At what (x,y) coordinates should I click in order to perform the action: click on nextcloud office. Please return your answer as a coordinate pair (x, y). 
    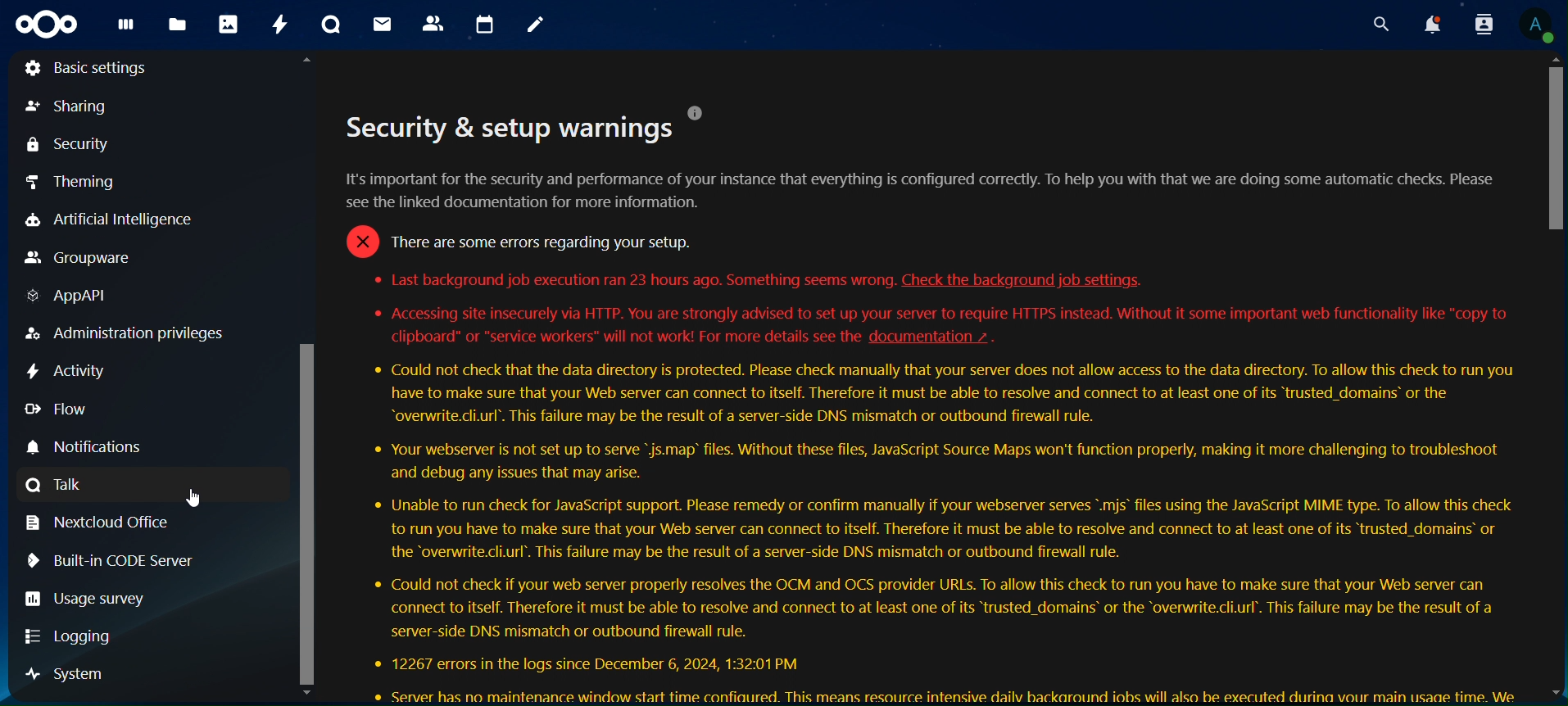
    Looking at the image, I should click on (102, 522).